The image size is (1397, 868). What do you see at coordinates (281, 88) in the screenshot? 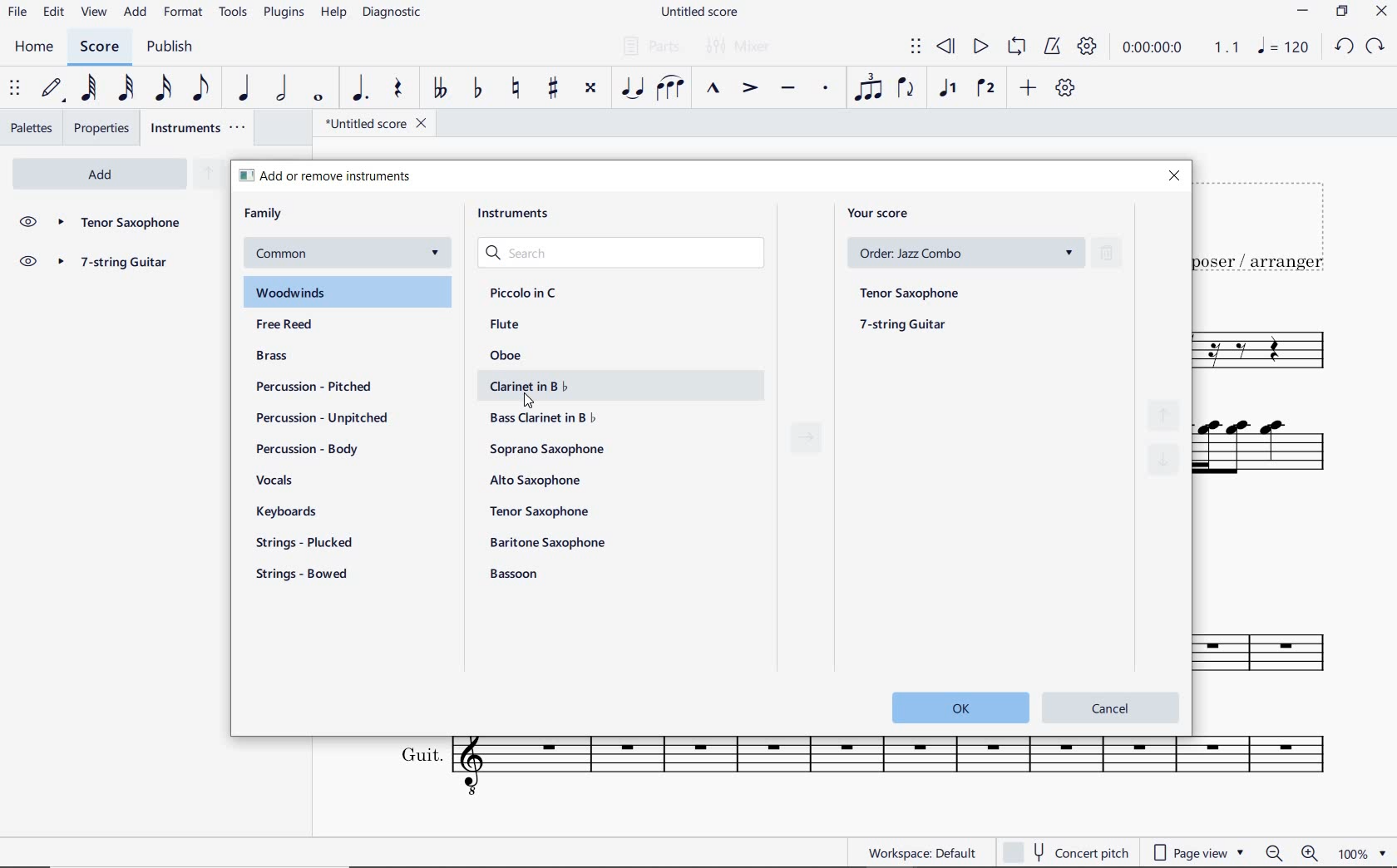
I see `HALF NOTE` at bounding box center [281, 88].